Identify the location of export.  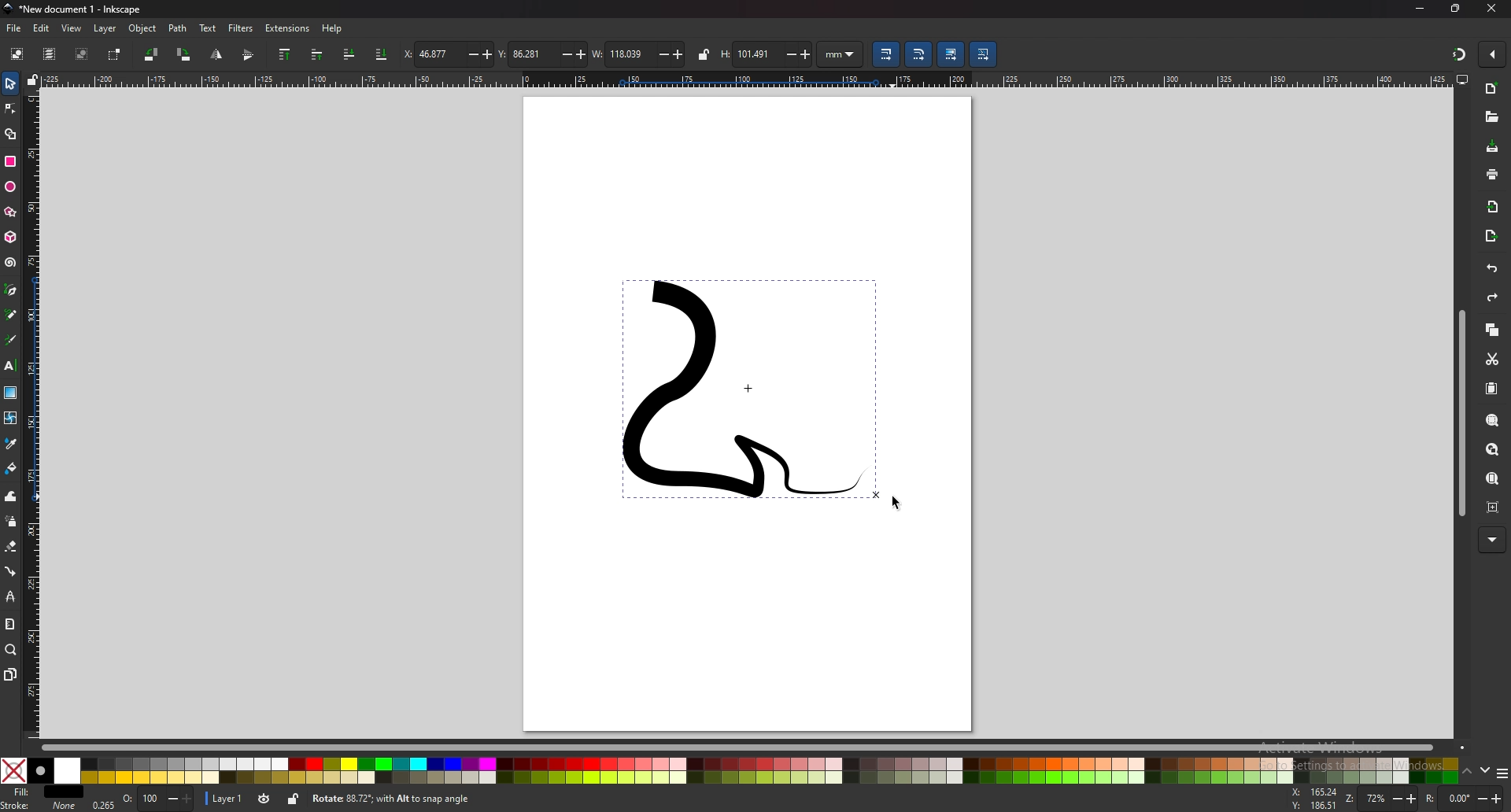
(1493, 236).